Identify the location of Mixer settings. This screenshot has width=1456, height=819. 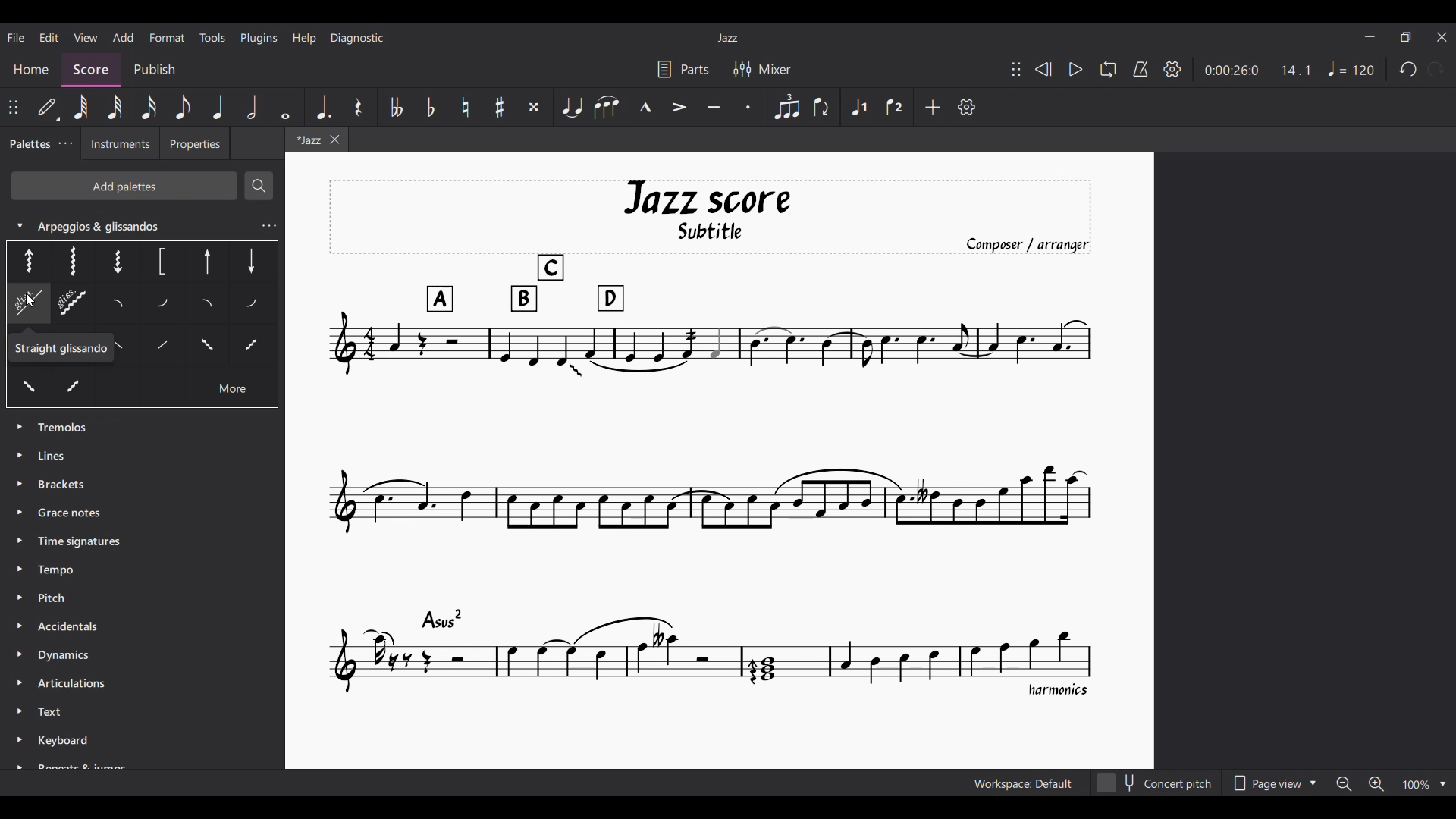
(761, 69).